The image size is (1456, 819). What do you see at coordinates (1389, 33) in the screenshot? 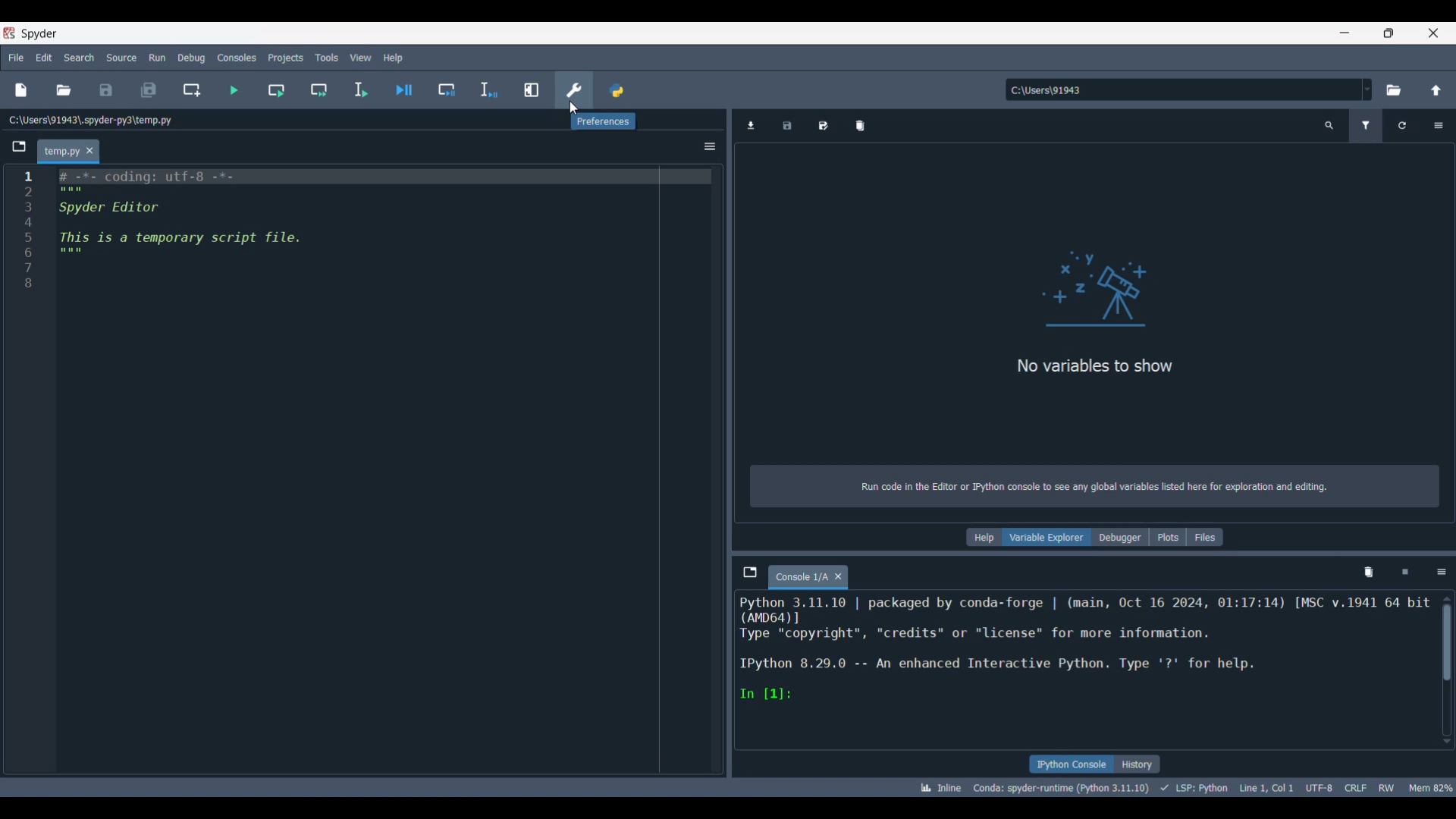
I see `Show interface in a smaller tab` at bounding box center [1389, 33].